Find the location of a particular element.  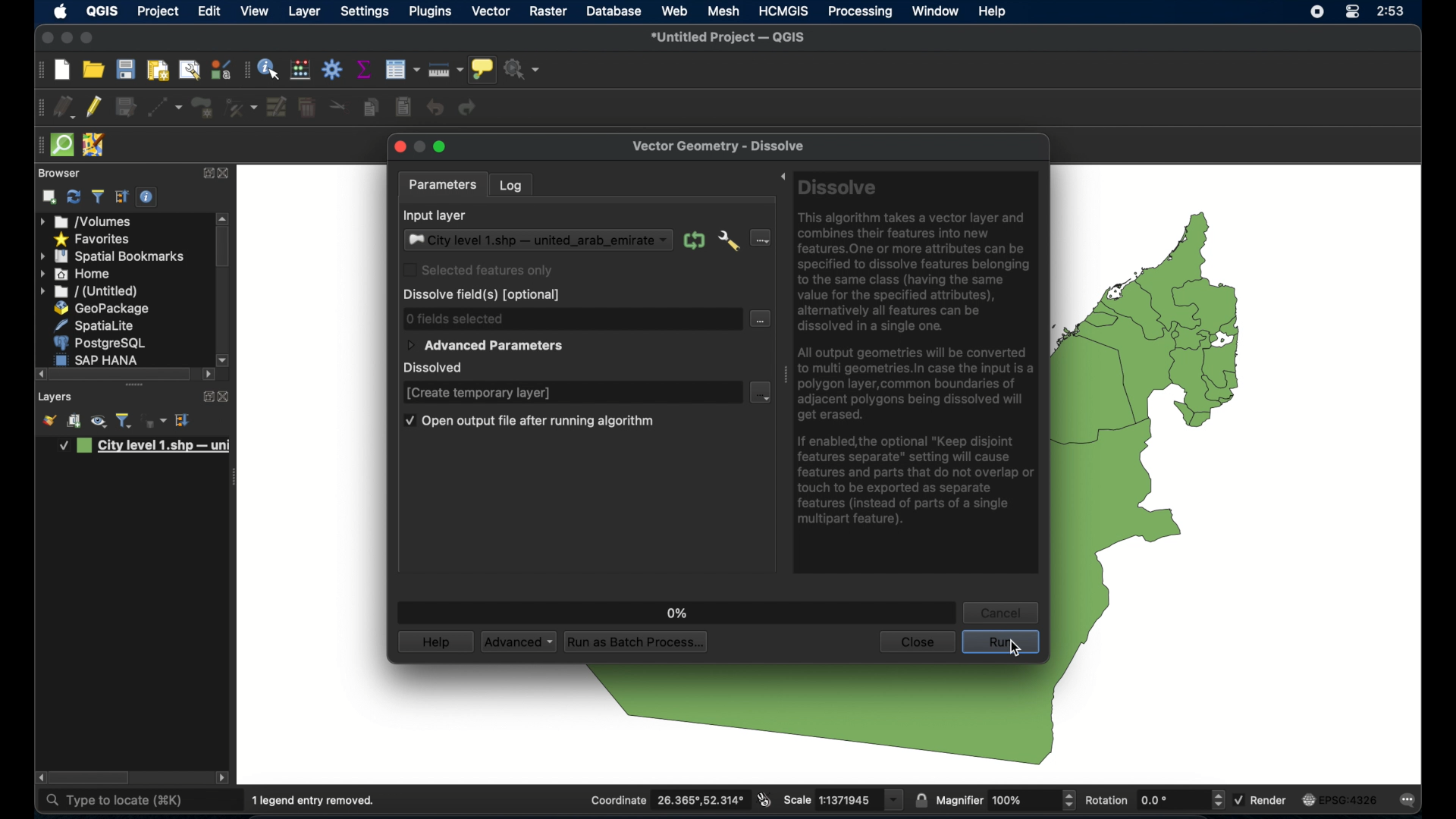

delete selected is located at coordinates (306, 108).